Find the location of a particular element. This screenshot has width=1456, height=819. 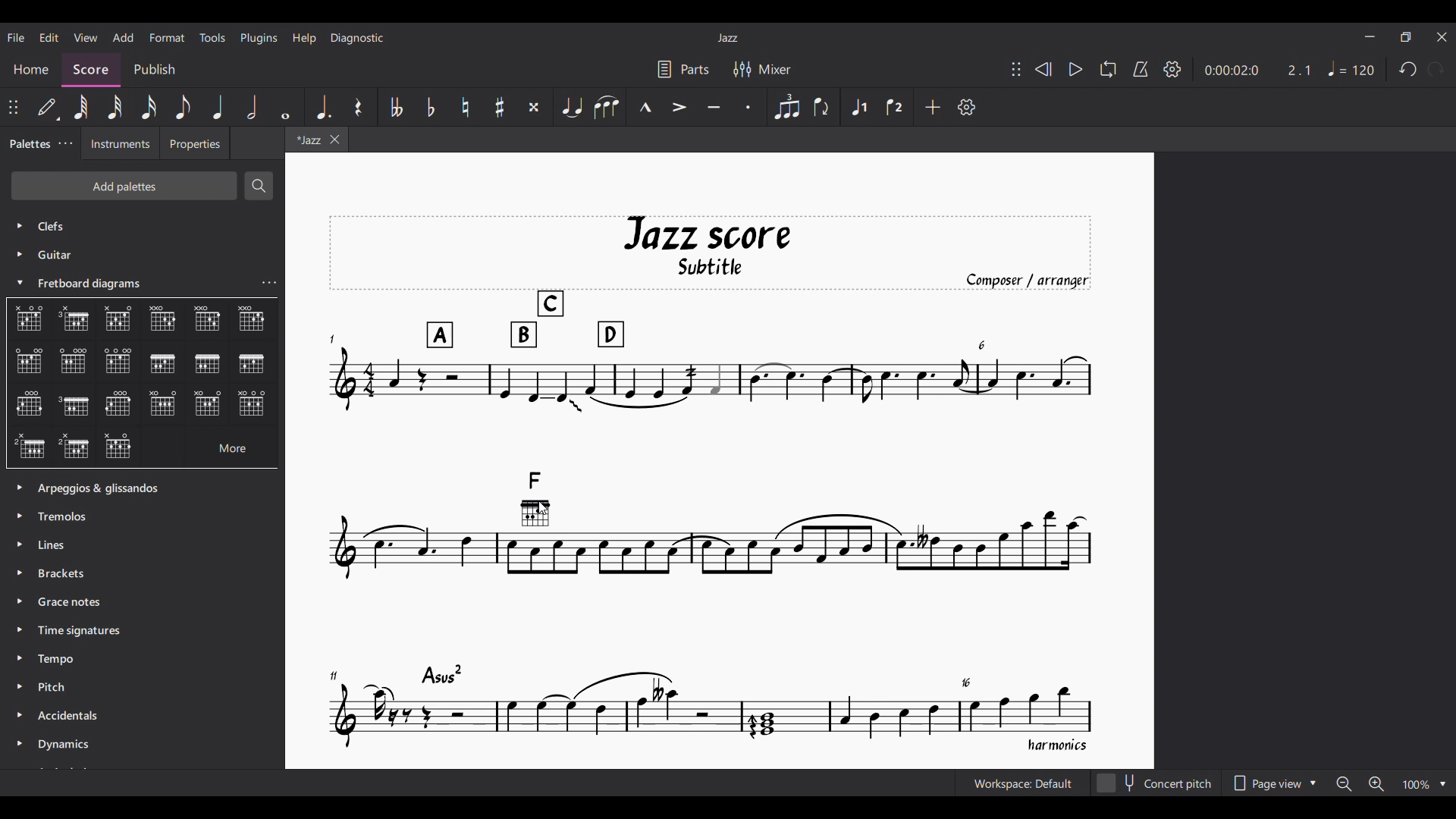

Chart 18 is located at coordinates (74, 447).